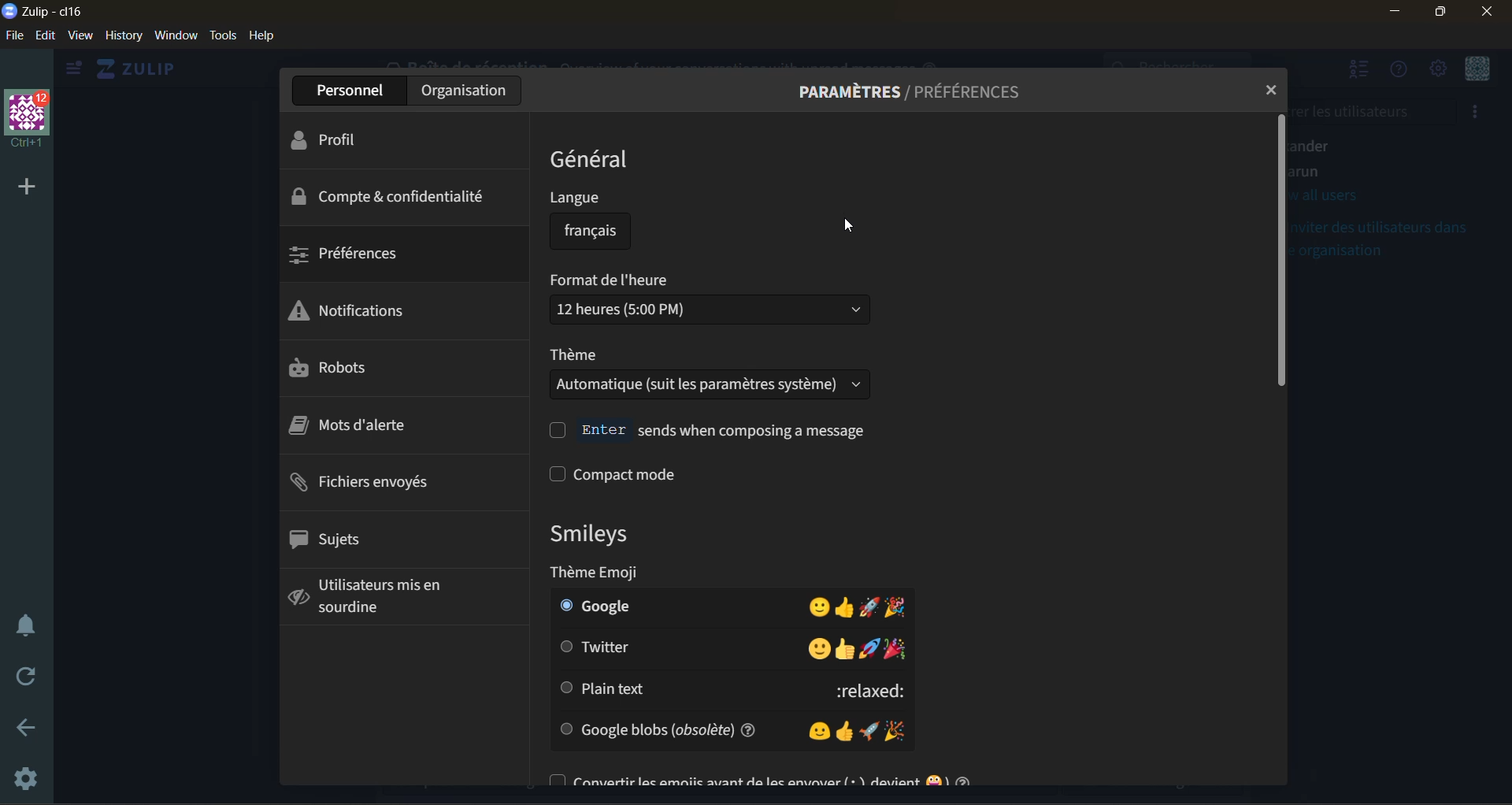 The image size is (1512, 805). I want to click on google, so click(722, 607).